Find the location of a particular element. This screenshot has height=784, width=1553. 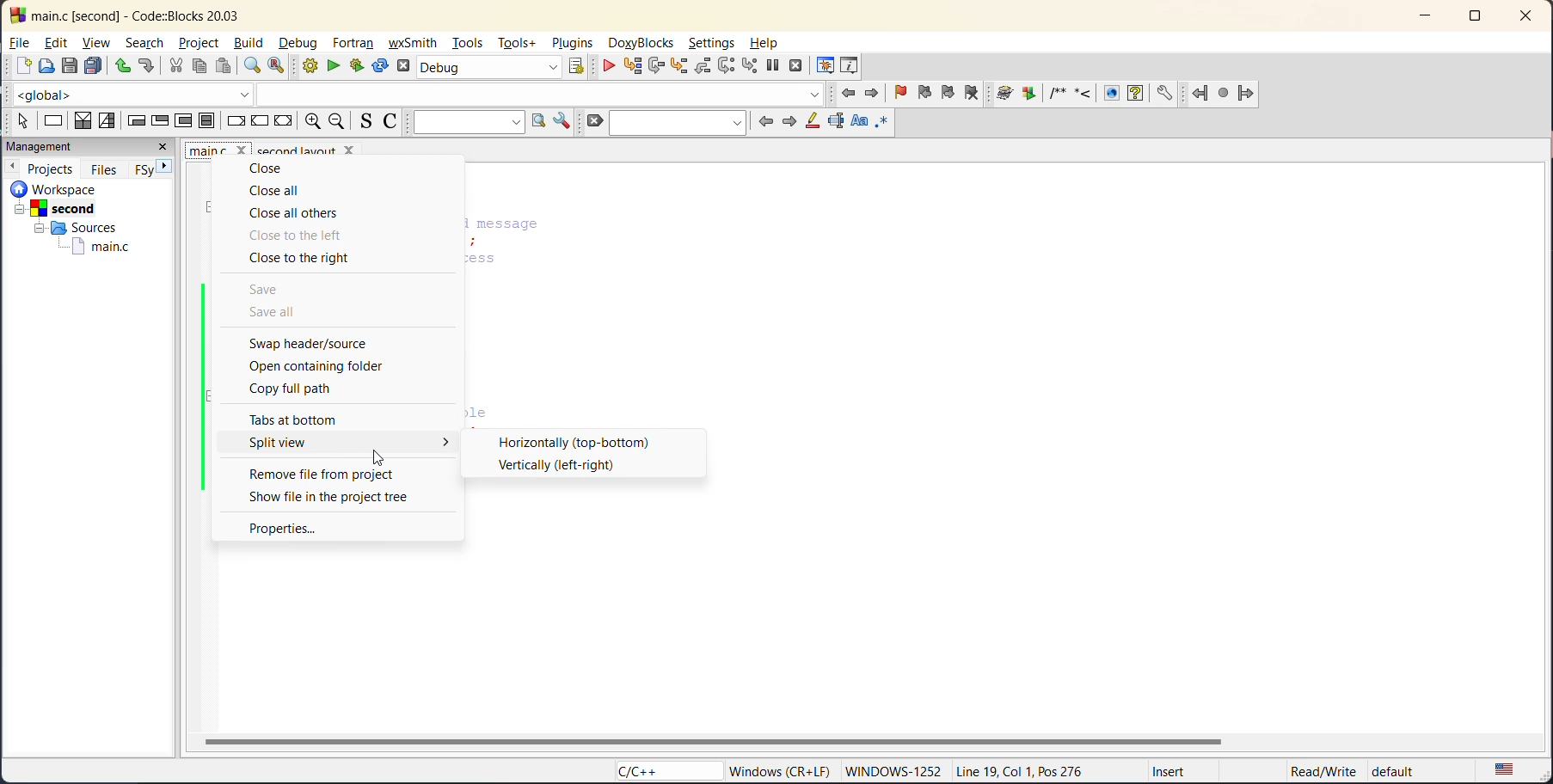

selection is located at coordinates (107, 121).